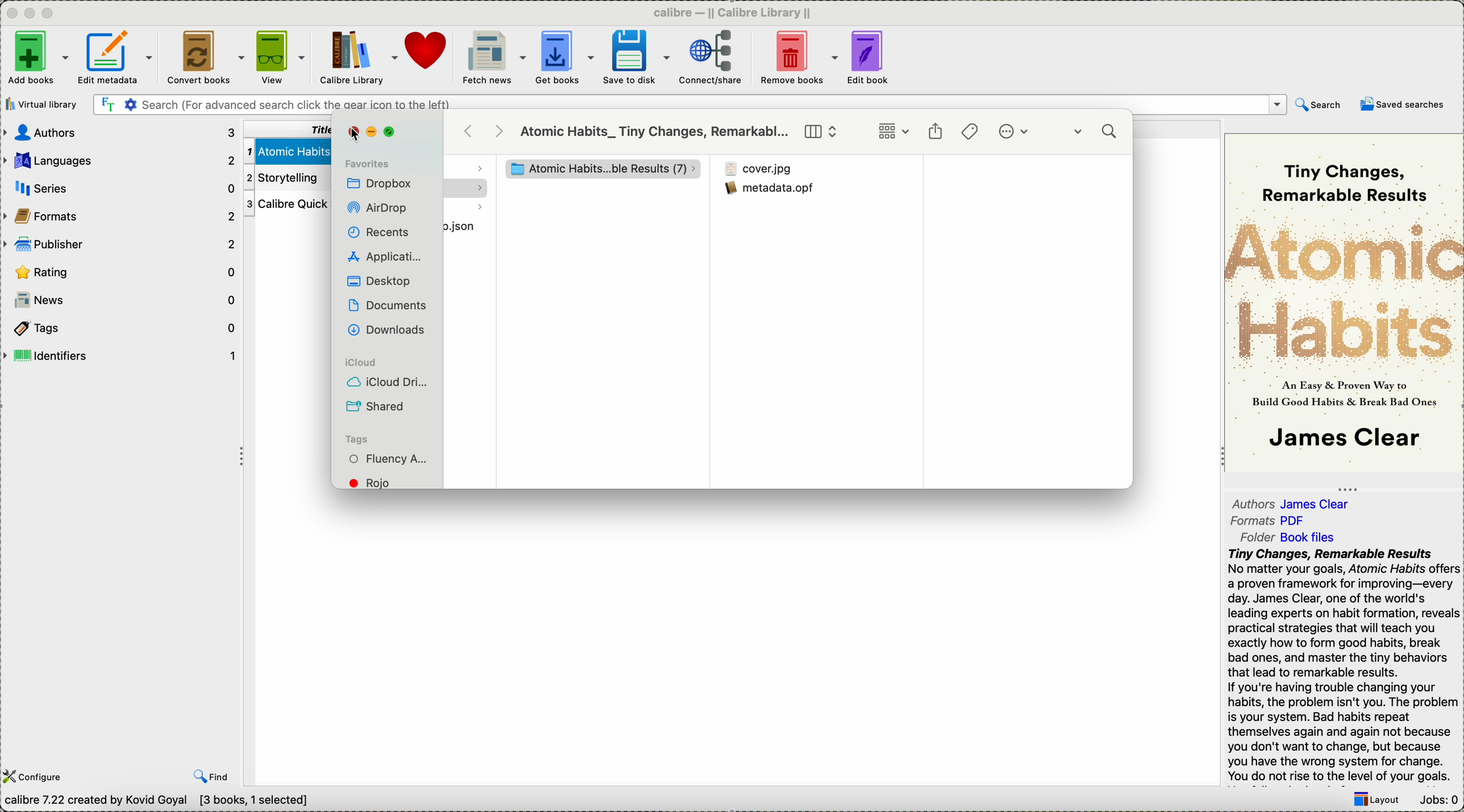  What do you see at coordinates (389, 460) in the screenshot?
I see `Fluency Academy tag` at bounding box center [389, 460].